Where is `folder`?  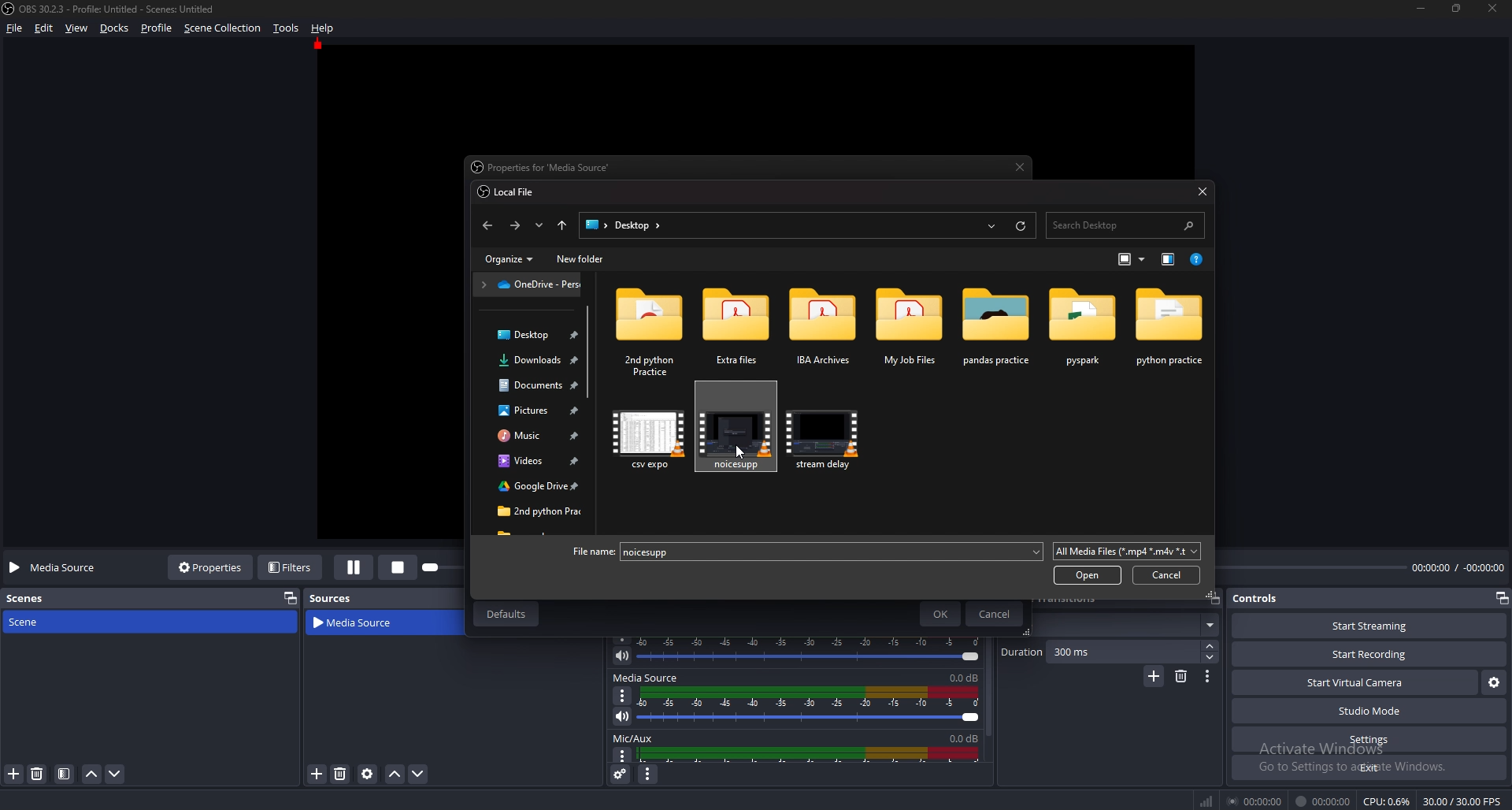 folder is located at coordinates (530, 489).